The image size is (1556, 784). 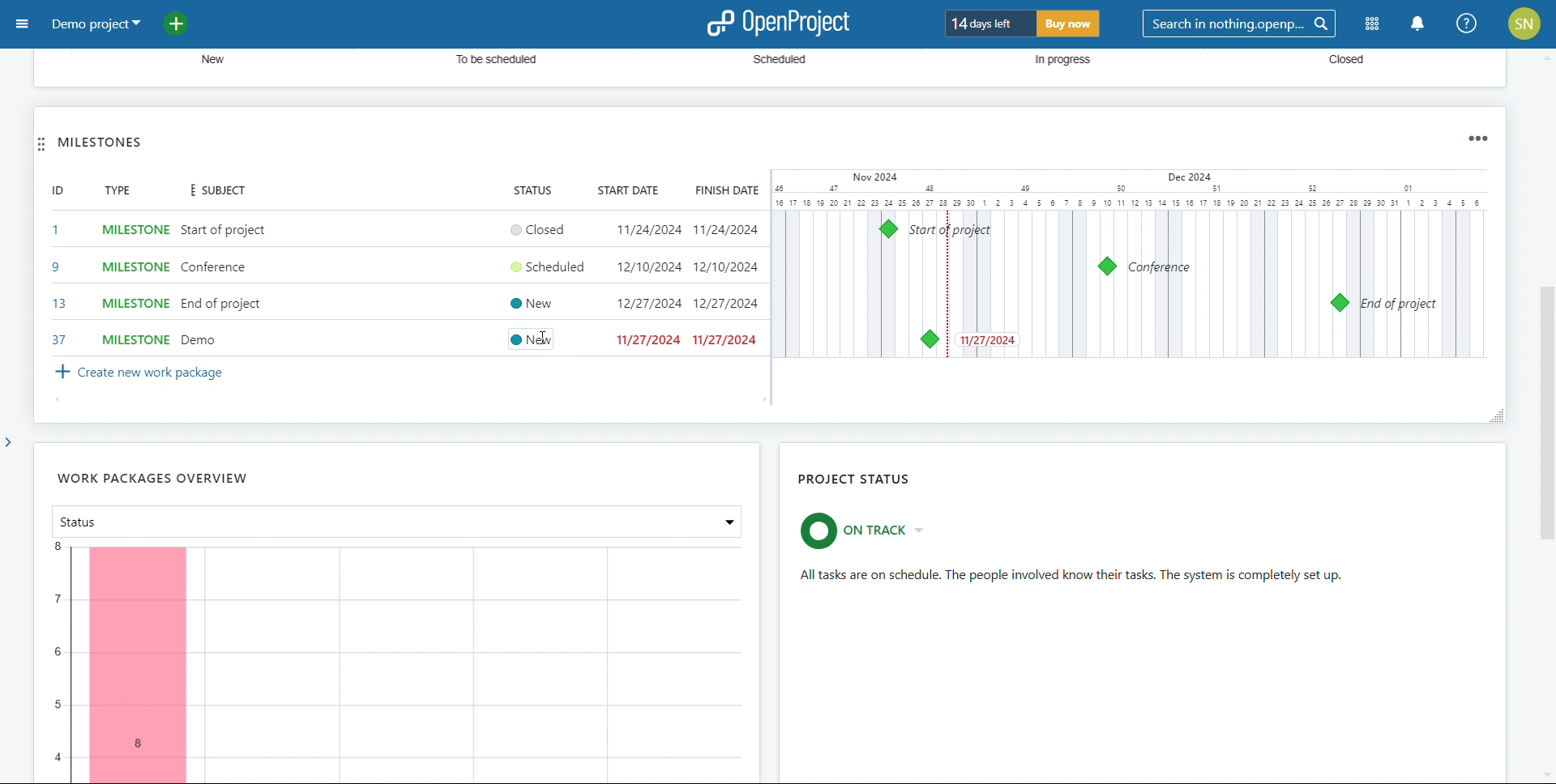 What do you see at coordinates (1495, 415) in the screenshot?
I see `resize` at bounding box center [1495, 415].